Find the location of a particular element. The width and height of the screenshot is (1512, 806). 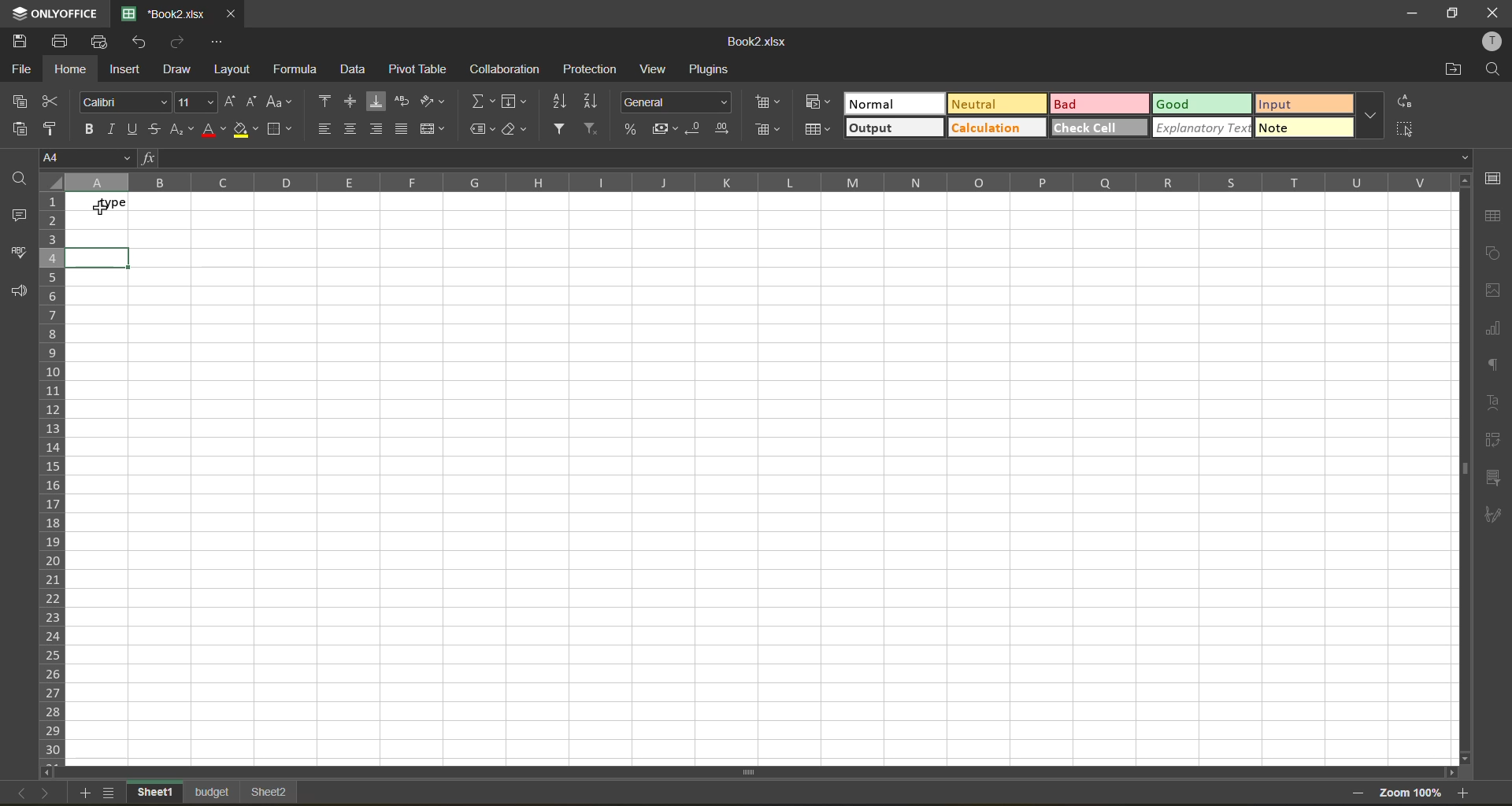

comments is located at coordinates (18, 216).